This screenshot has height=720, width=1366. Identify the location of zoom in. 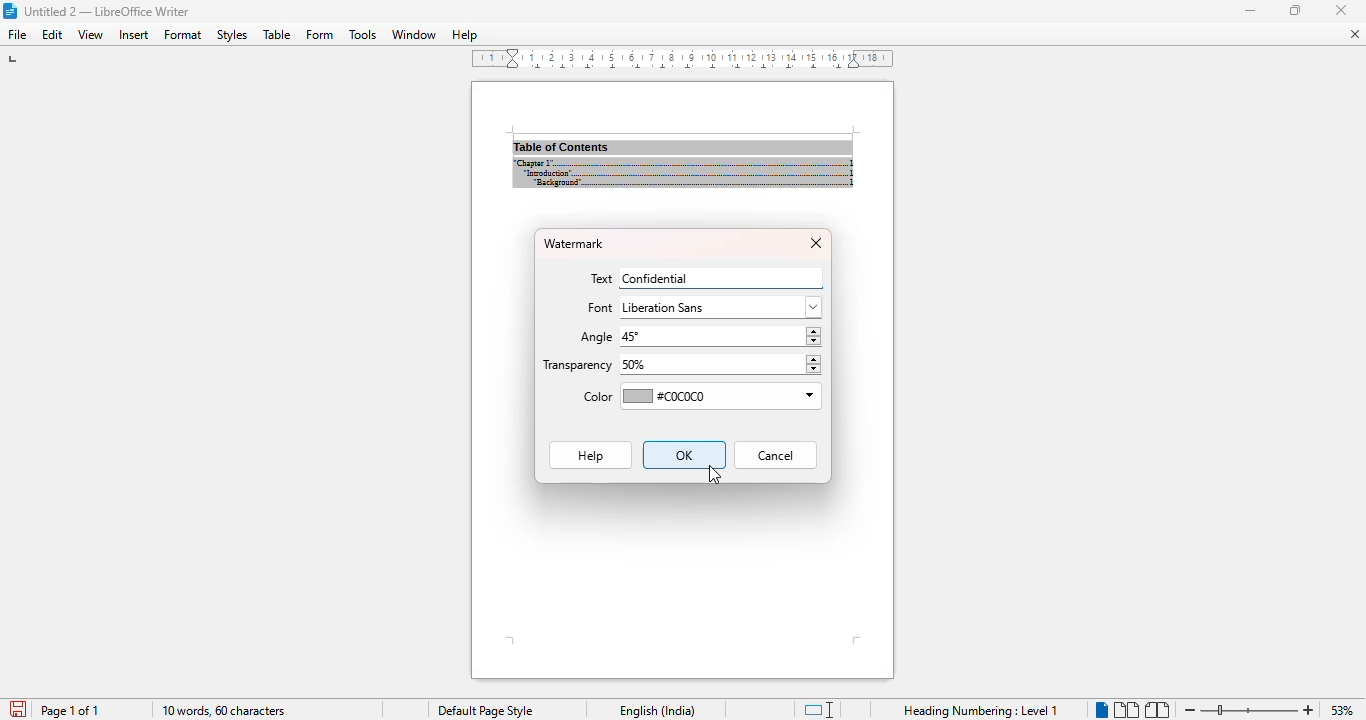
(1311, 709).